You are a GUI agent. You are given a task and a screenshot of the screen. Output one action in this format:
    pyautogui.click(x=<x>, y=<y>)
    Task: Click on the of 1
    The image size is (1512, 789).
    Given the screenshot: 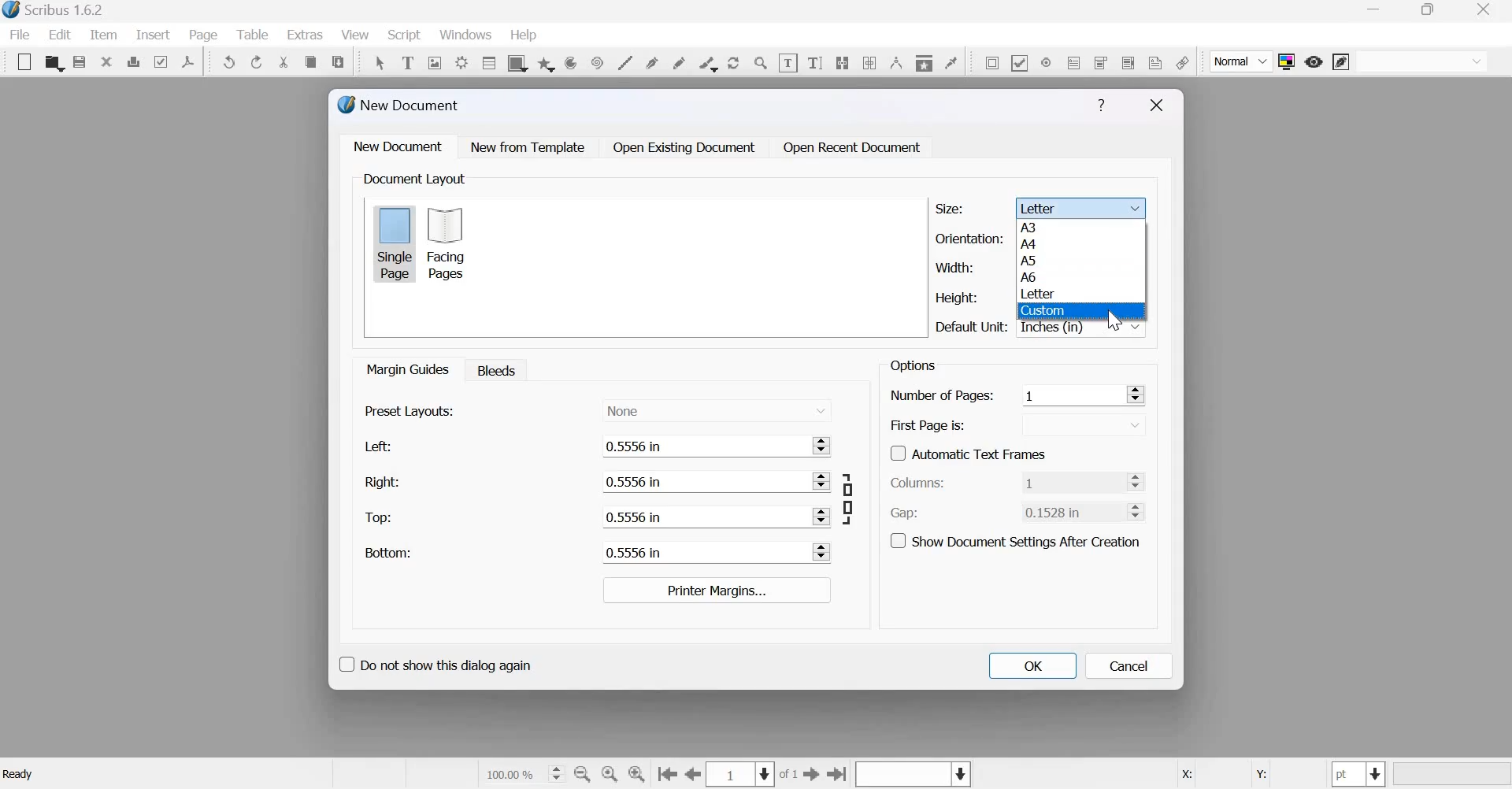 What is the action you would take?
    pyautogui.click(x=789, y=775)
    